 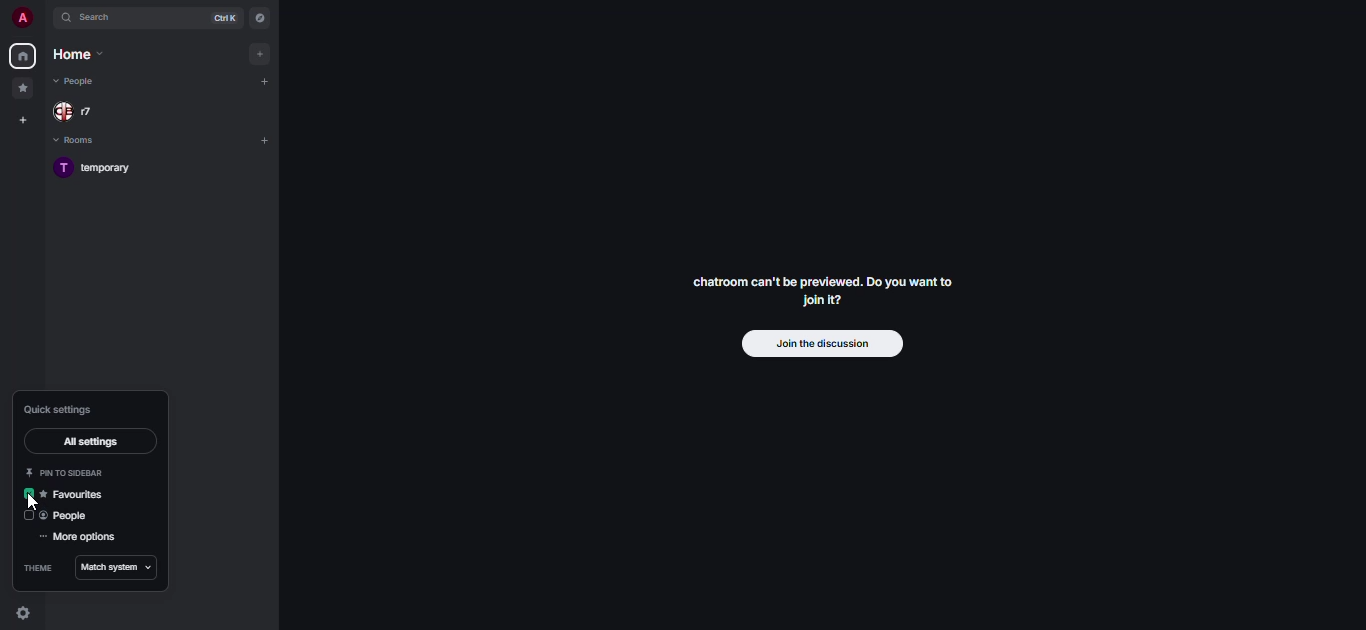 I want to click on people, so click(x=81, y=82).